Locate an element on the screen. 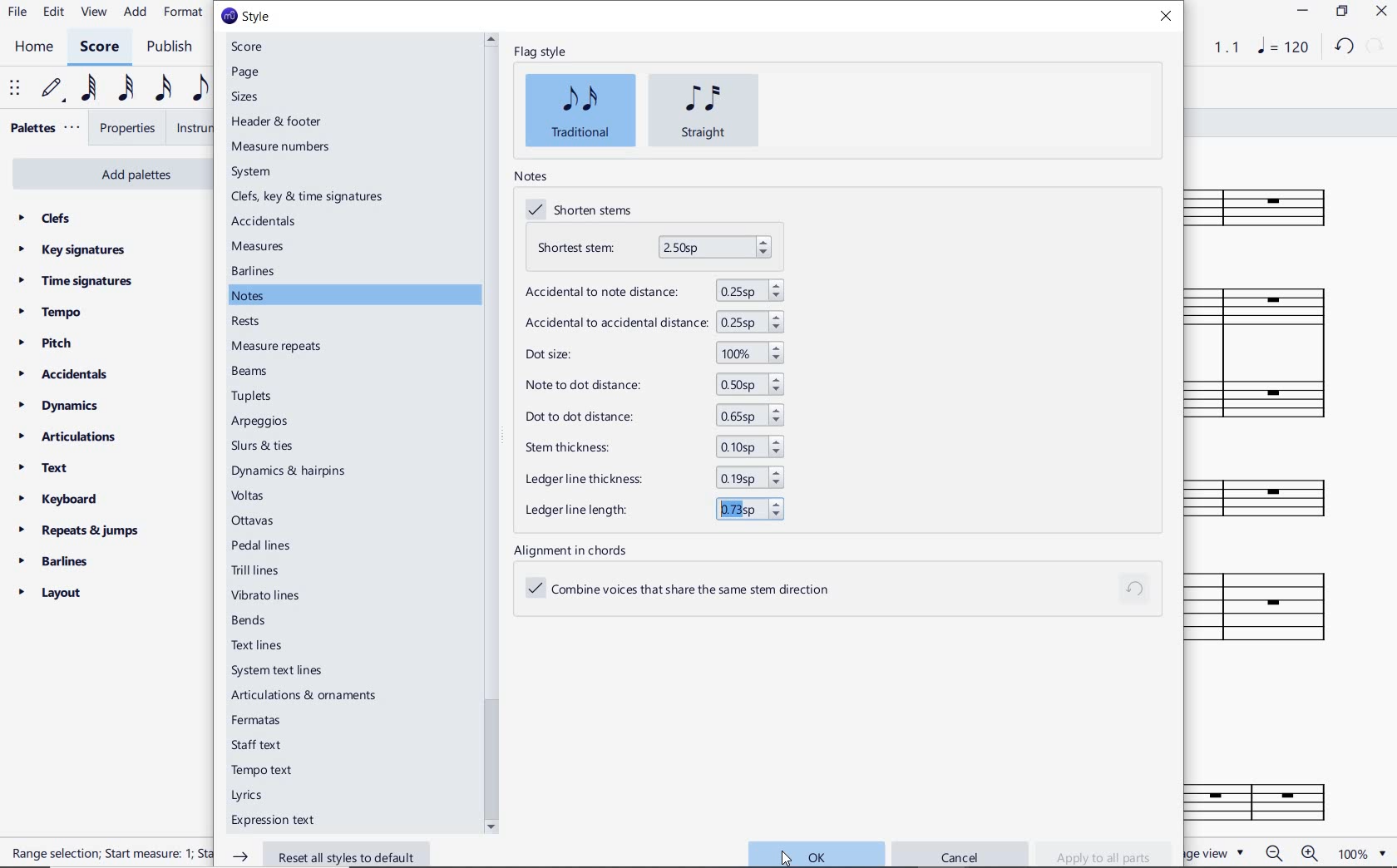 This screenshot has width=1397, height=868. home is located at coordinates (37, 47).